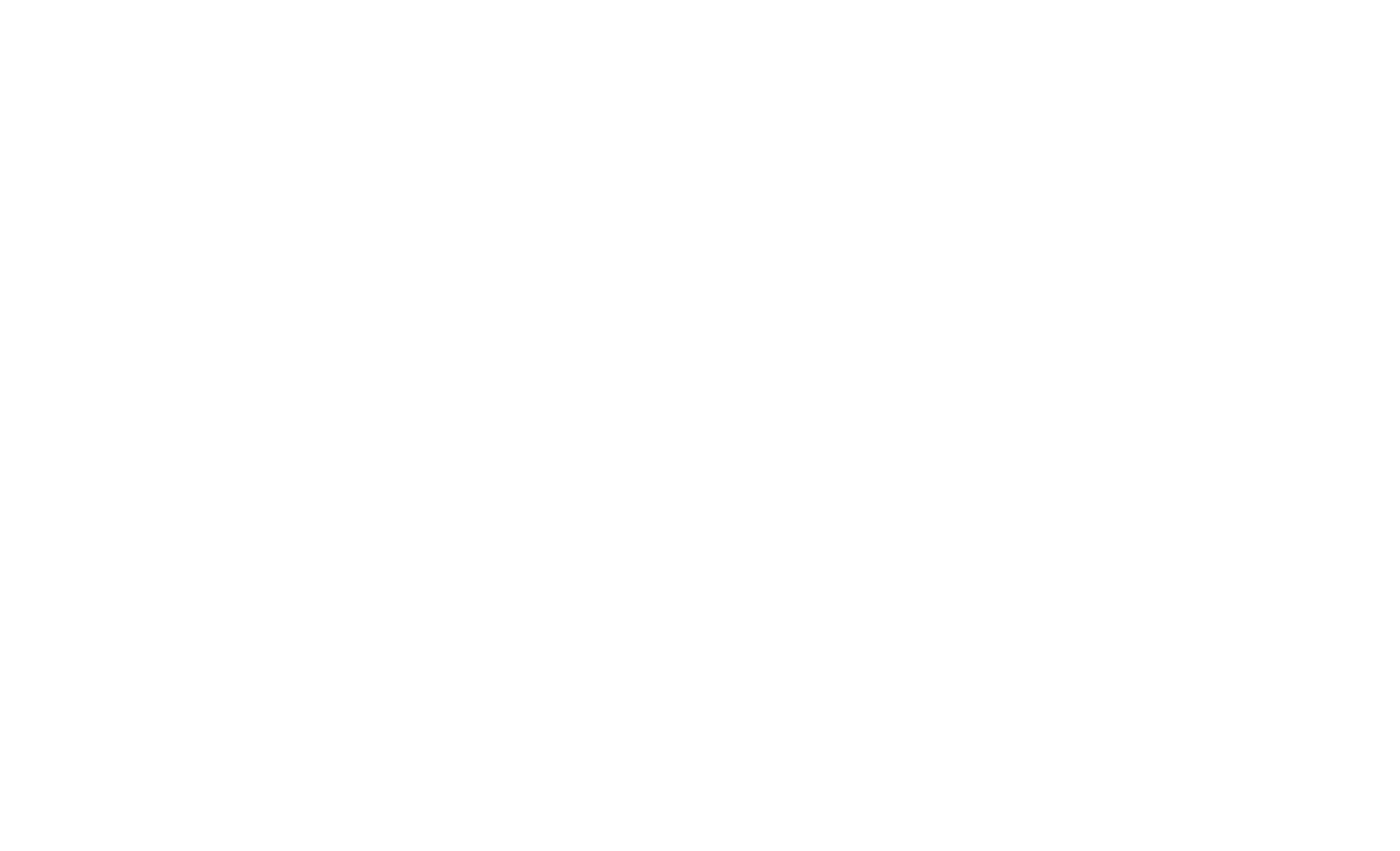  What do you see at coordinates (348, 593) in the screenshot?
I see `Display capture` at bounding box center [348, 593].